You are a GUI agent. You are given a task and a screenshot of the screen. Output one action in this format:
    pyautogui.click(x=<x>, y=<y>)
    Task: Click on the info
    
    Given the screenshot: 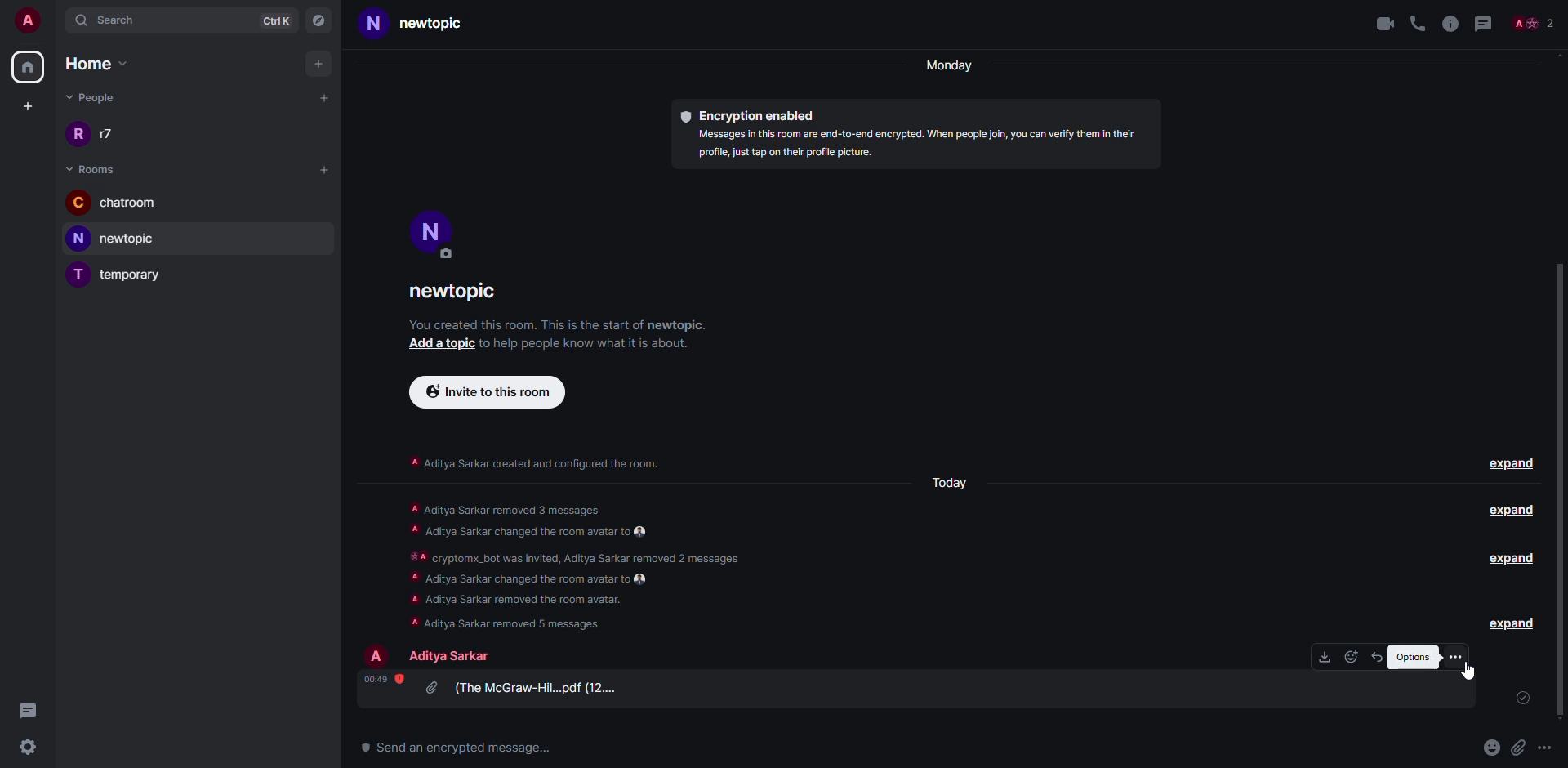 What is the action you would take?
    pyautogui.click(x=595, y=346)
    